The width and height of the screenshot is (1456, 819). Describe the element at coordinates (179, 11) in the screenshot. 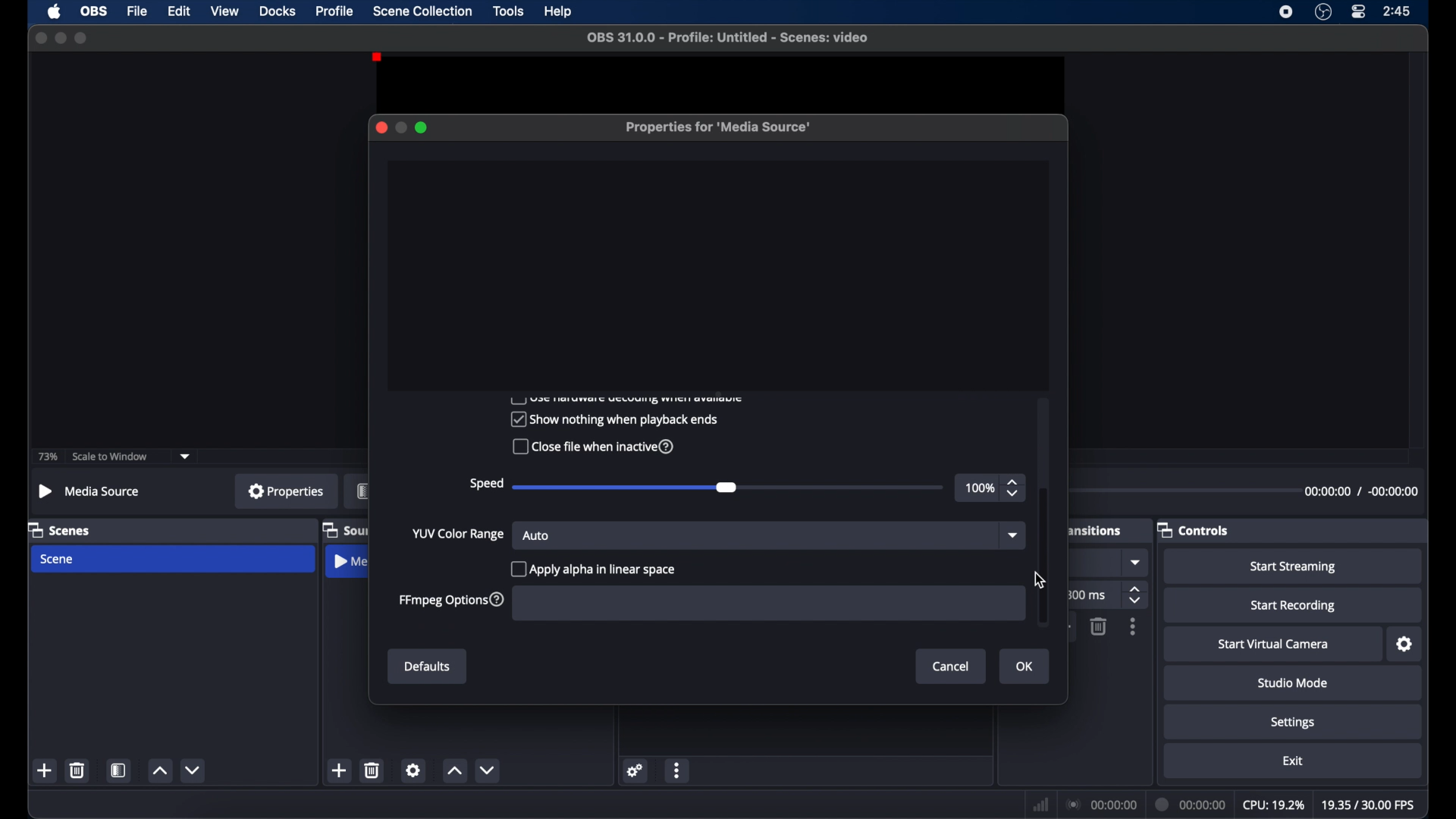

I see `edit` at that location.